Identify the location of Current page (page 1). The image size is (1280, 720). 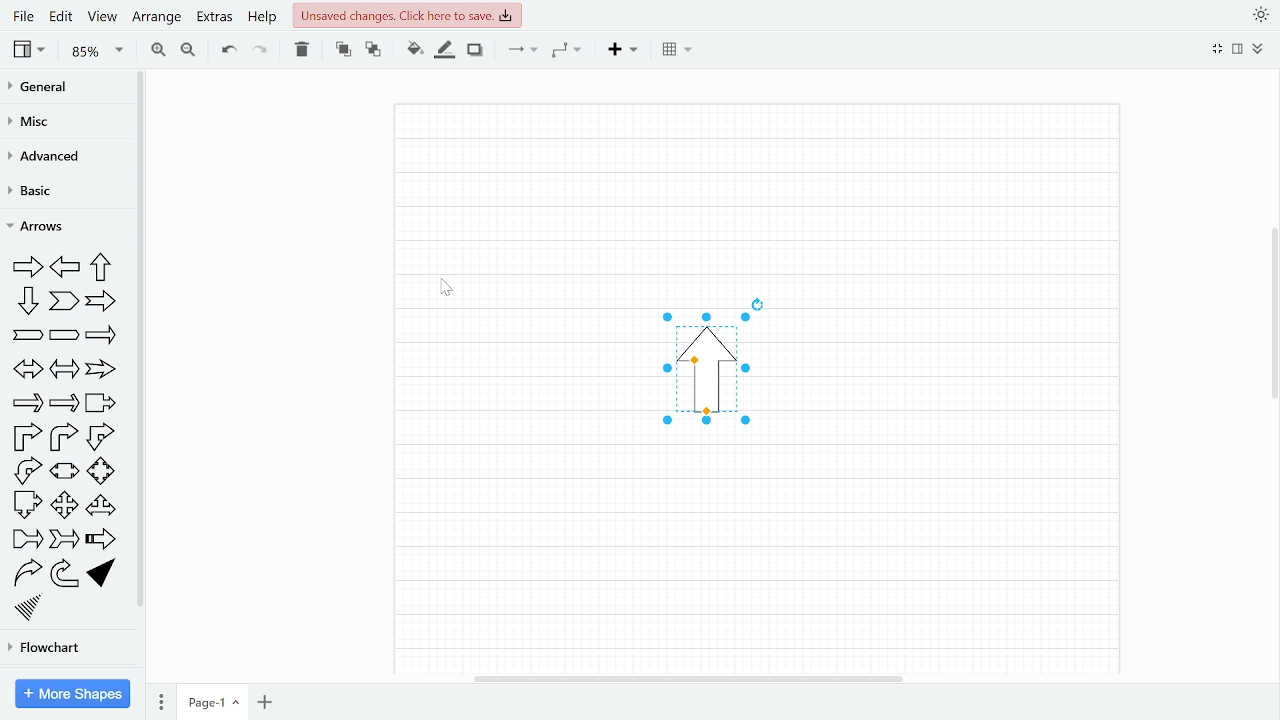
(213, 701).